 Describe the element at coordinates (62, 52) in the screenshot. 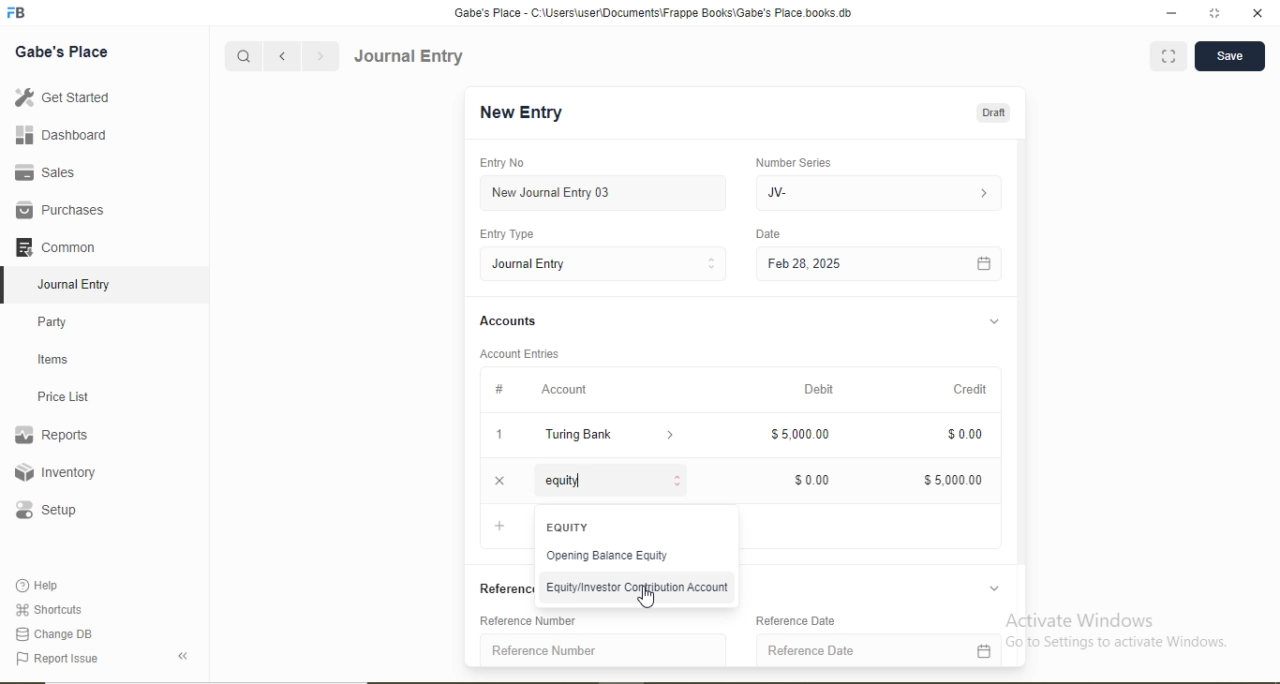

I see `Gabe's Place` at that location.